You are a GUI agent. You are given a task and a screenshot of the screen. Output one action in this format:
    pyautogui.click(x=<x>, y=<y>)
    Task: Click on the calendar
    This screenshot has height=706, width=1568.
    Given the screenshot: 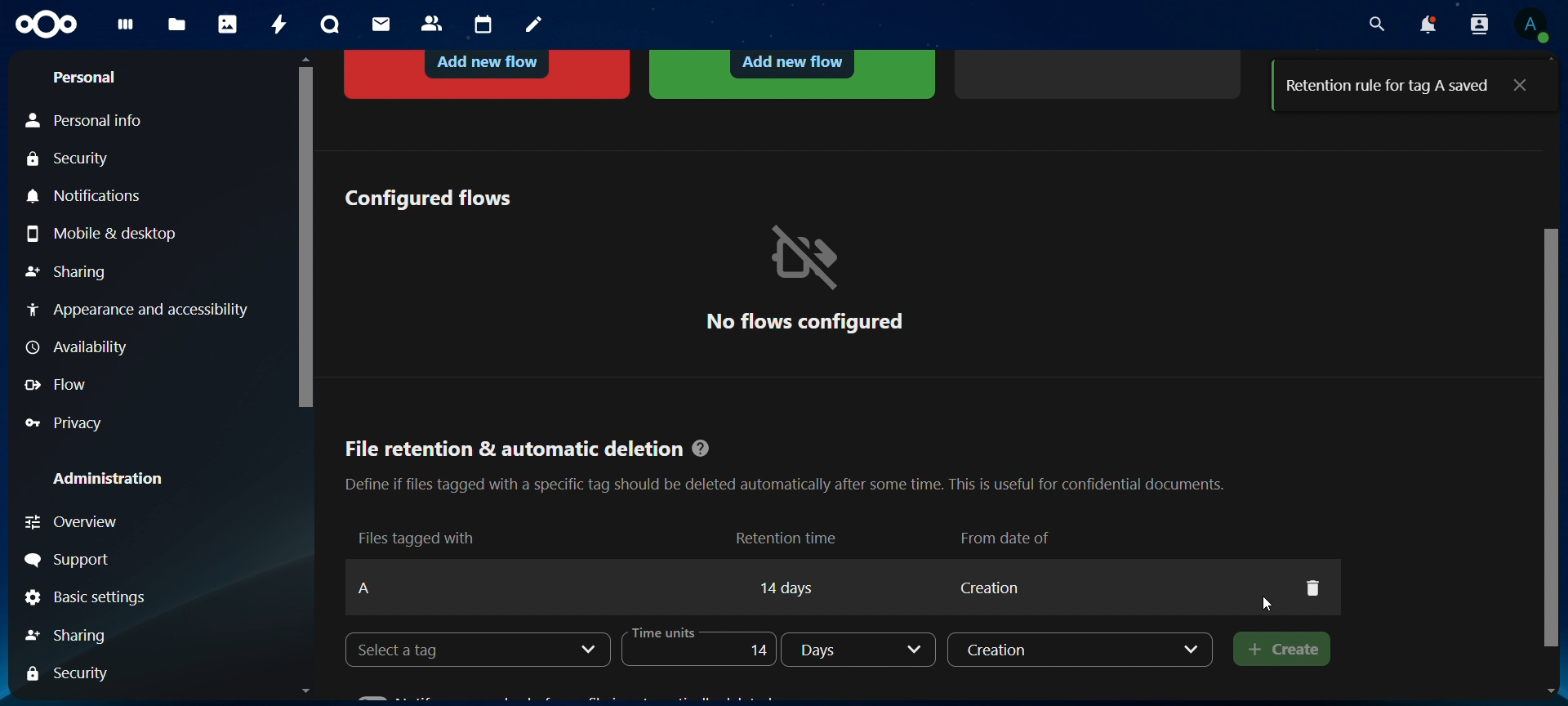 What is the action you would take?
    pyautogui.click(x=484, y=25)
    